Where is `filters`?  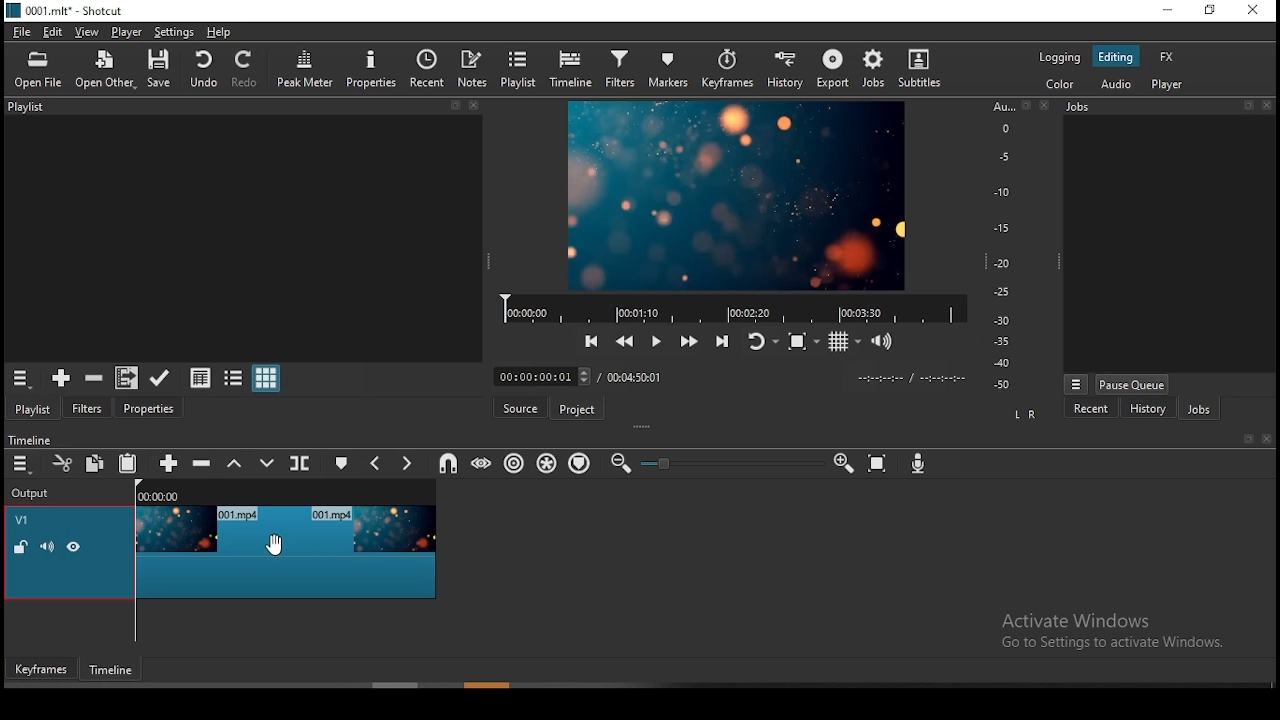 filters is located at coordinates (90, 408).